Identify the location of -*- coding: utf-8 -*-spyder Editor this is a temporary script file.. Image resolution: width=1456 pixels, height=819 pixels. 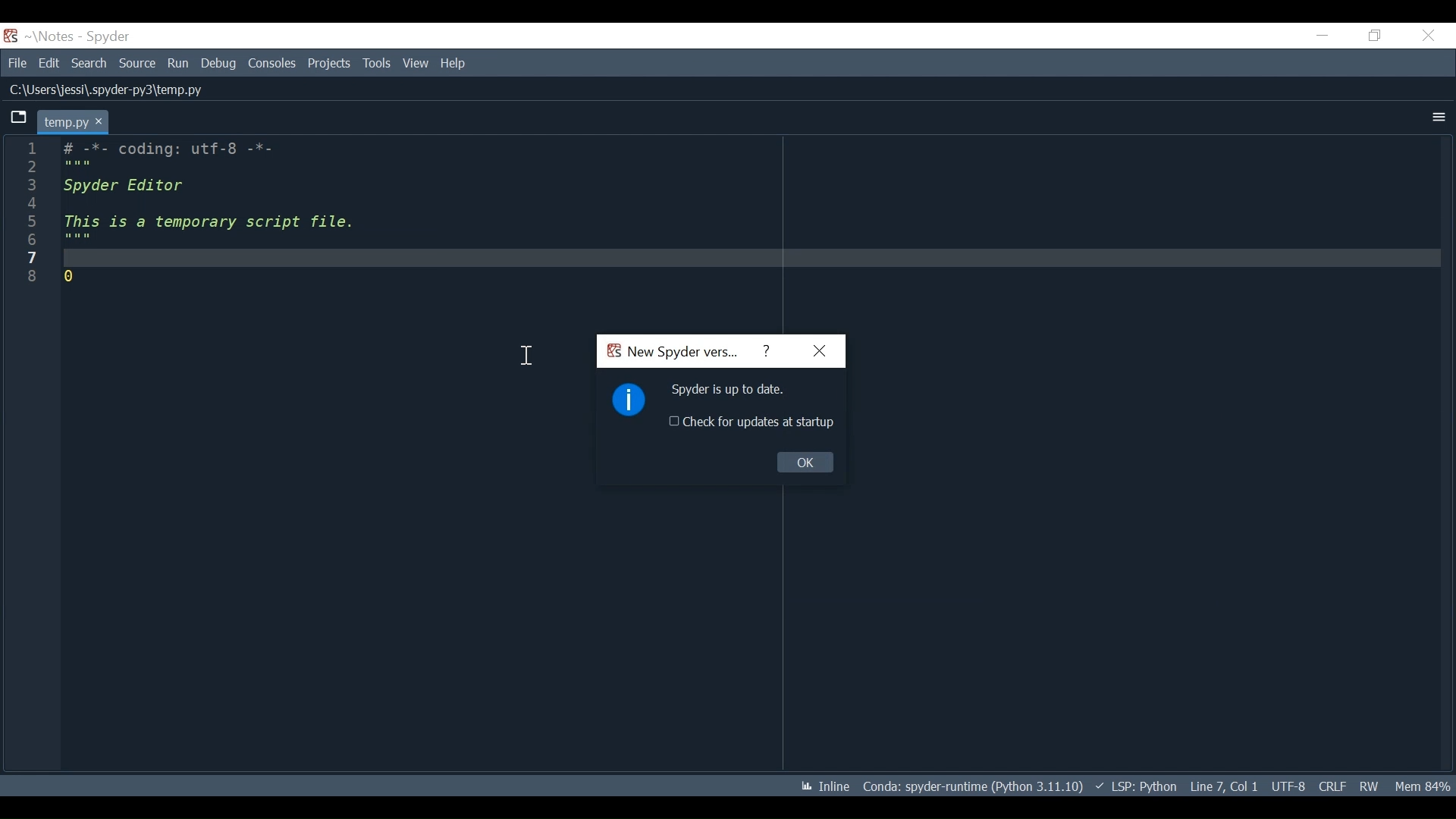
(211, 212).